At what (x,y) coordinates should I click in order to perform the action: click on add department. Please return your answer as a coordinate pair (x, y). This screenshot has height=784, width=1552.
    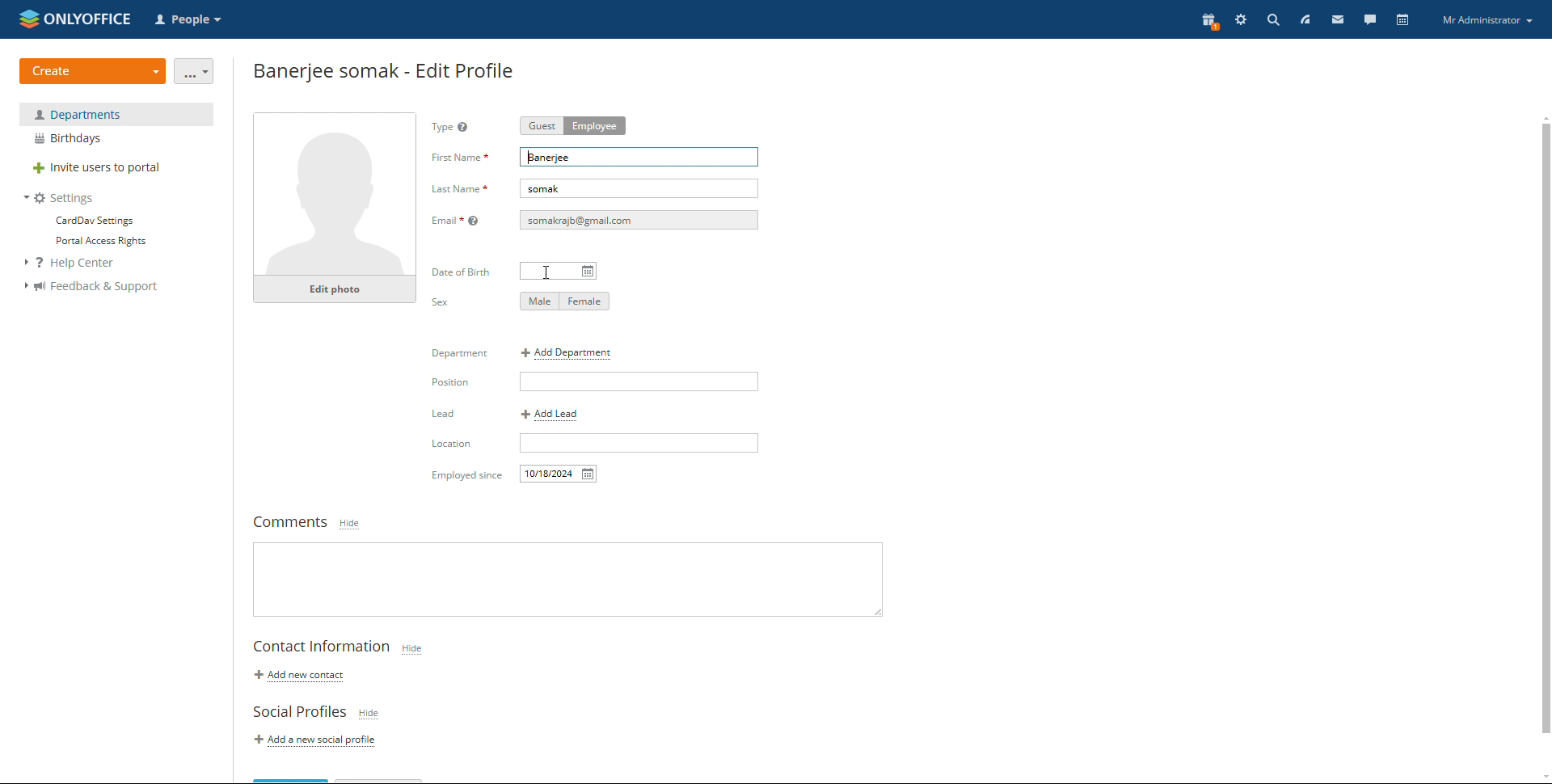
    Looking at the image, I should click on (568, 353).